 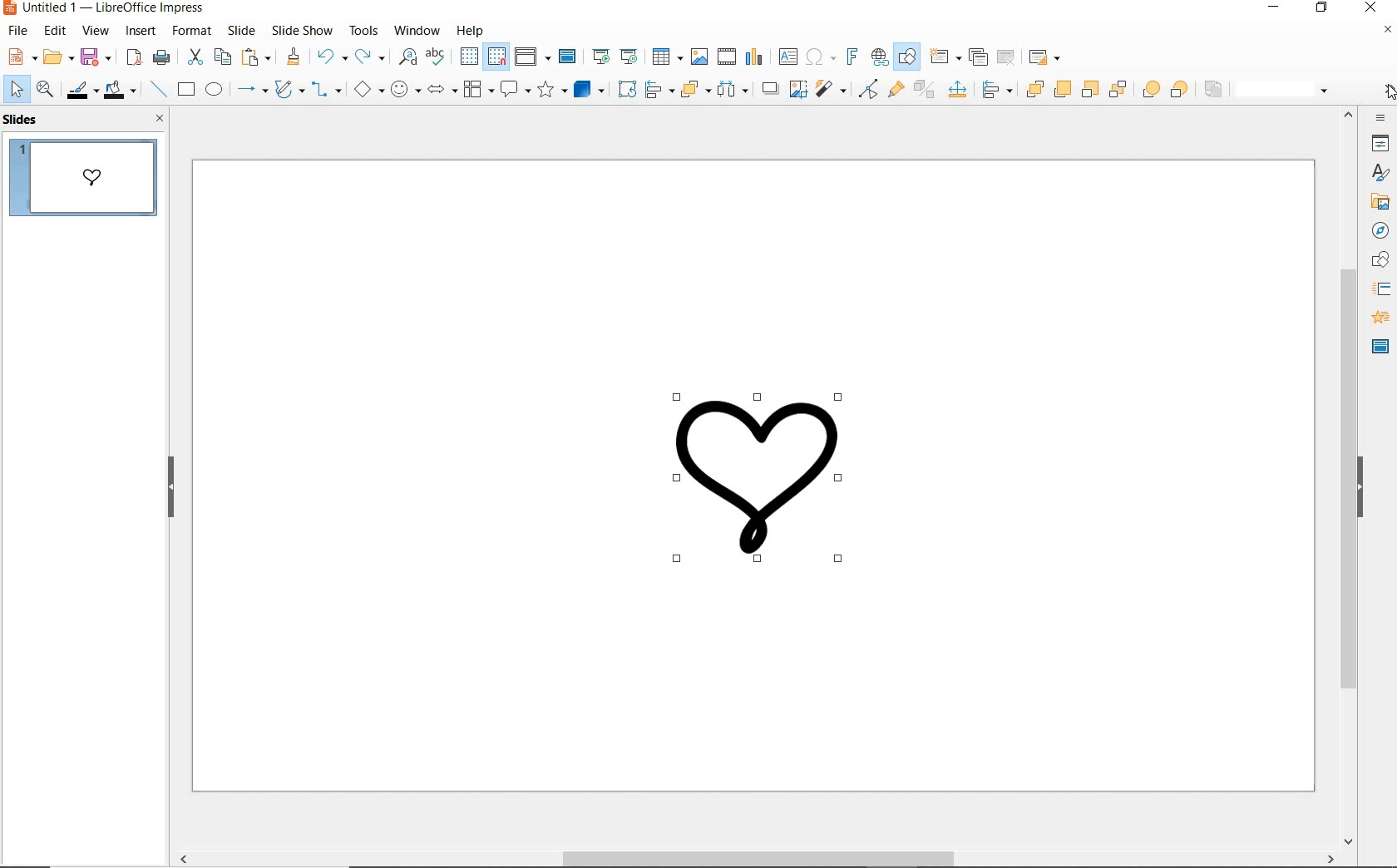 I want to click on open, so click(x=57, y=55).